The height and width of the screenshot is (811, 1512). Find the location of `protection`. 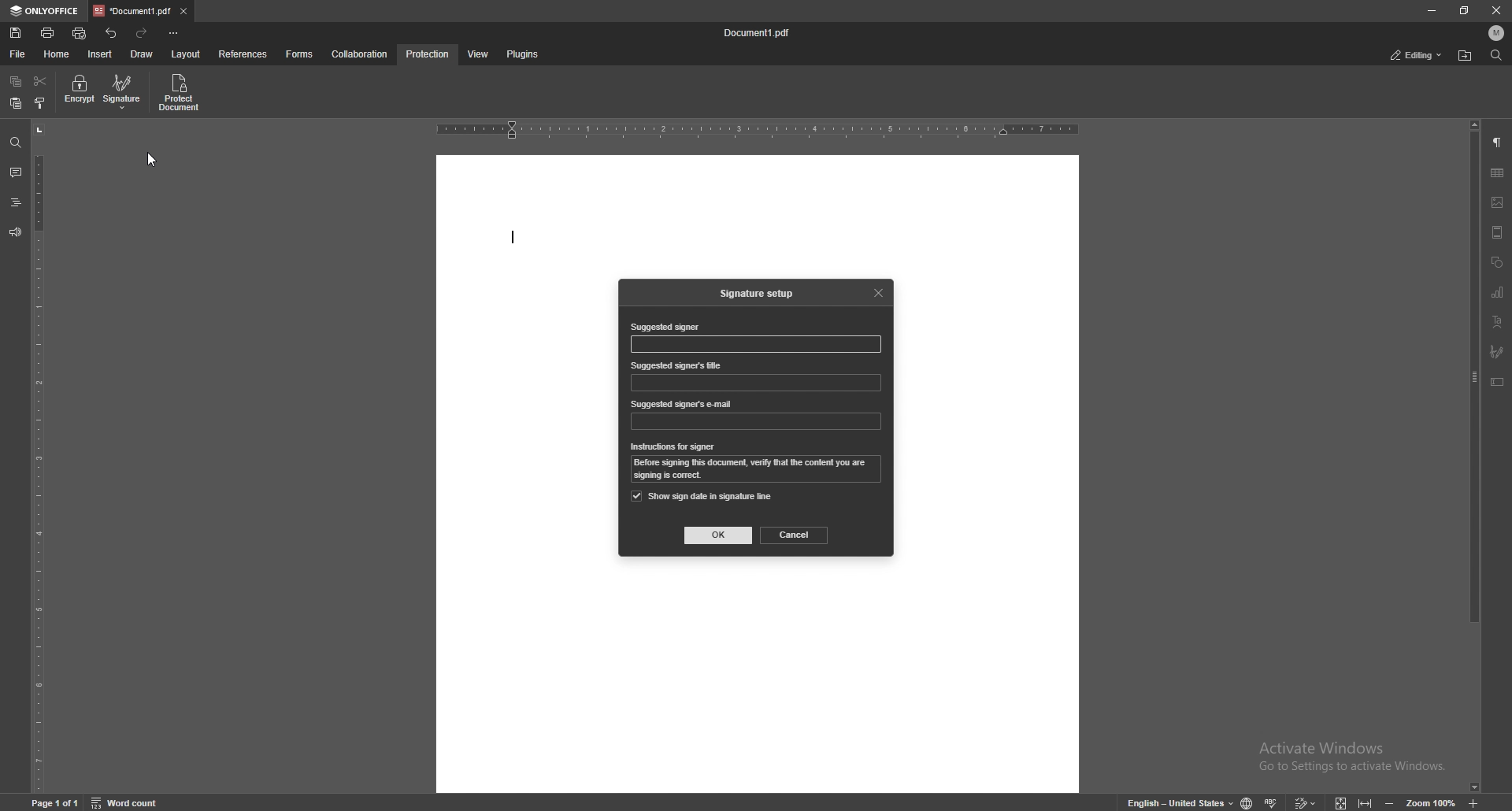

protection is located at coordinates (428, 54).